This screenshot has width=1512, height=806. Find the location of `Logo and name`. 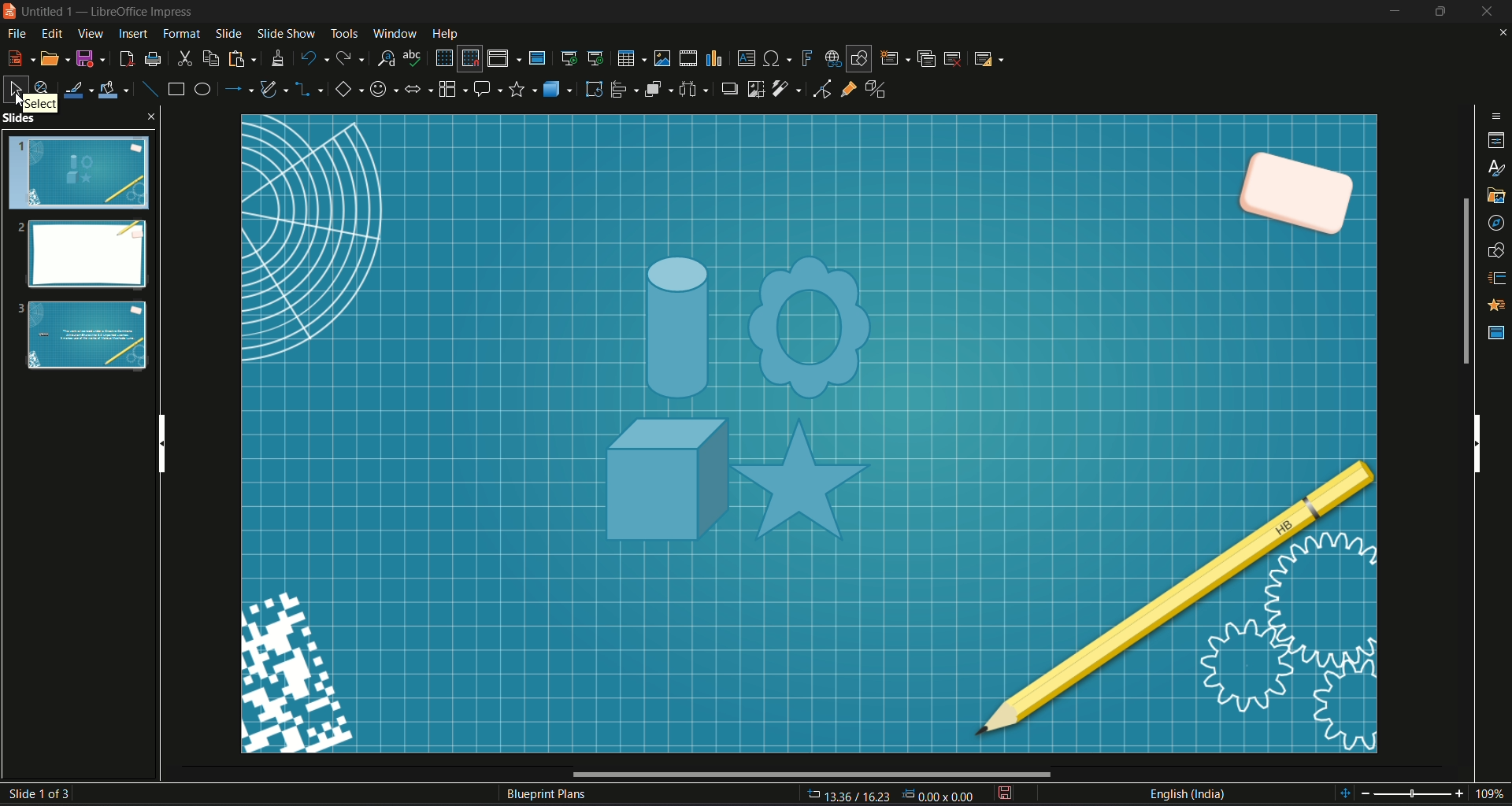

Logo and name is located at coordinates (102, 13).